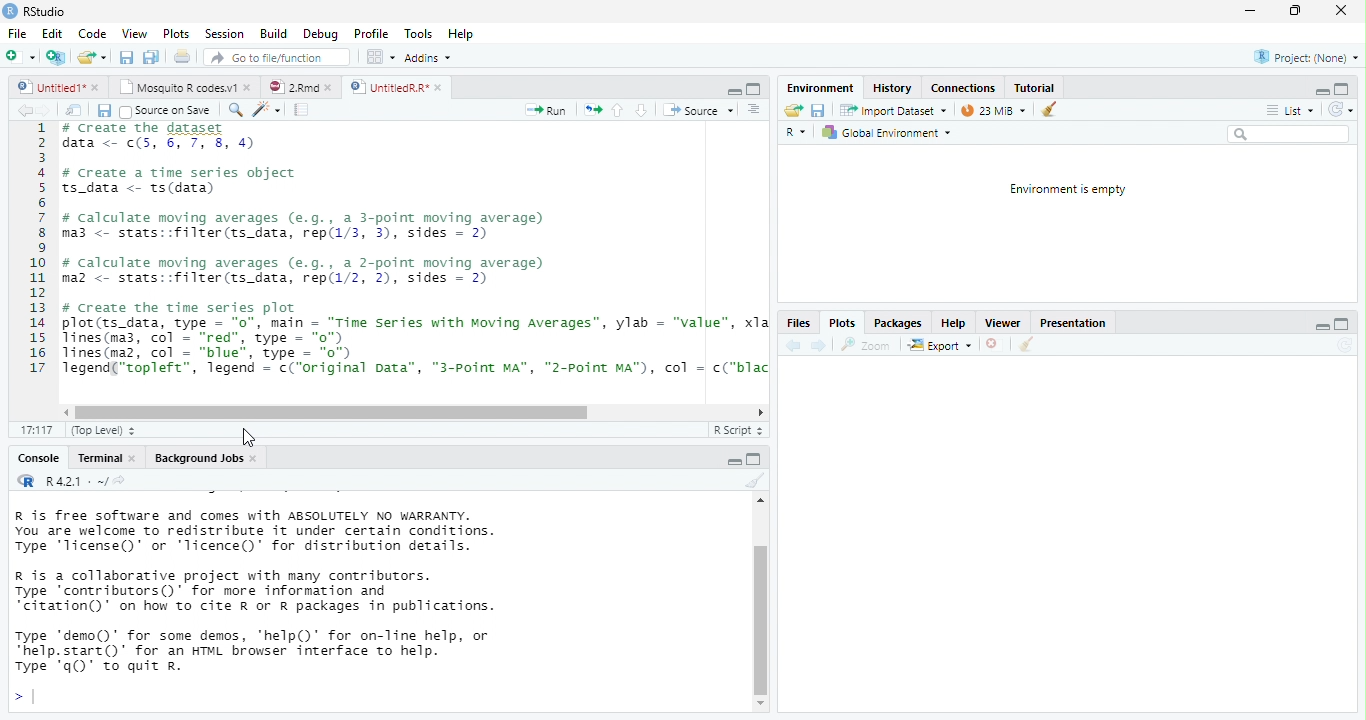 Image resolution: width=1366 pixels, height=720 pixels. Describe the element at coordinates (758, 413) in the screenshot. I see `scrollbar right` at that location.